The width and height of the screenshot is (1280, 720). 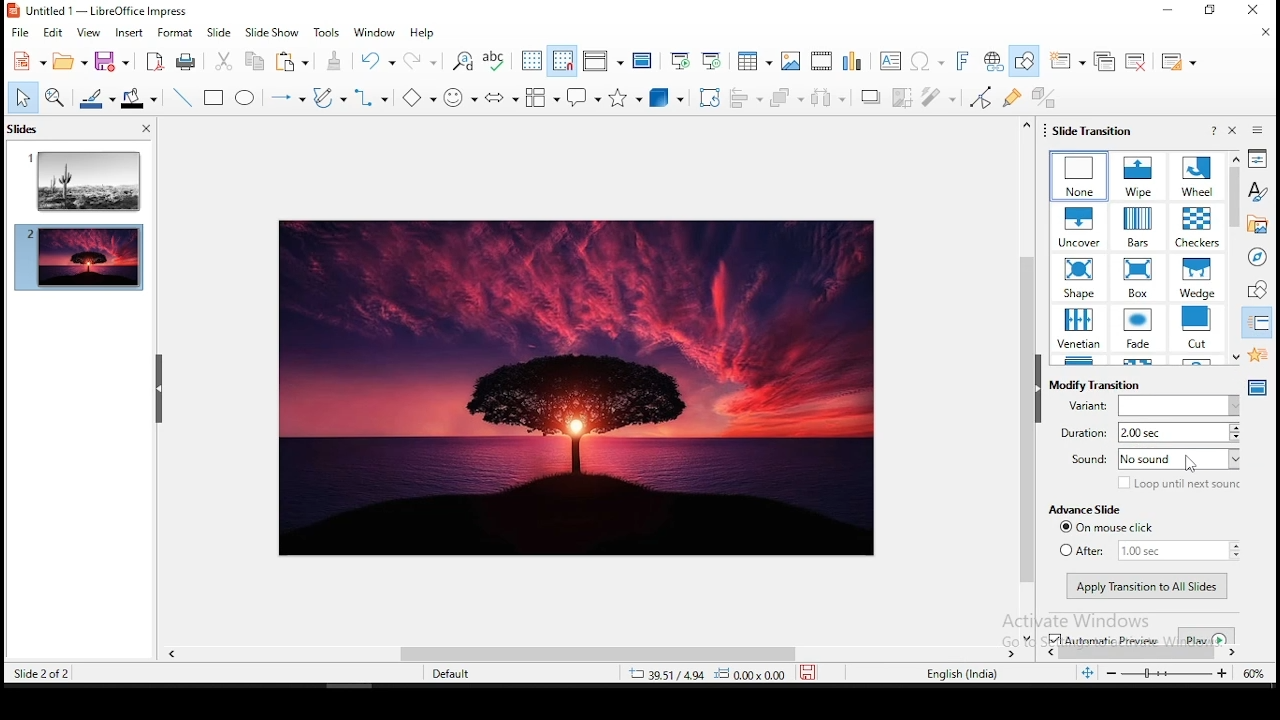 What do you see at coordinates (329, 31) in the screenshot?
I see `tools` at bounding box center [329, 31].